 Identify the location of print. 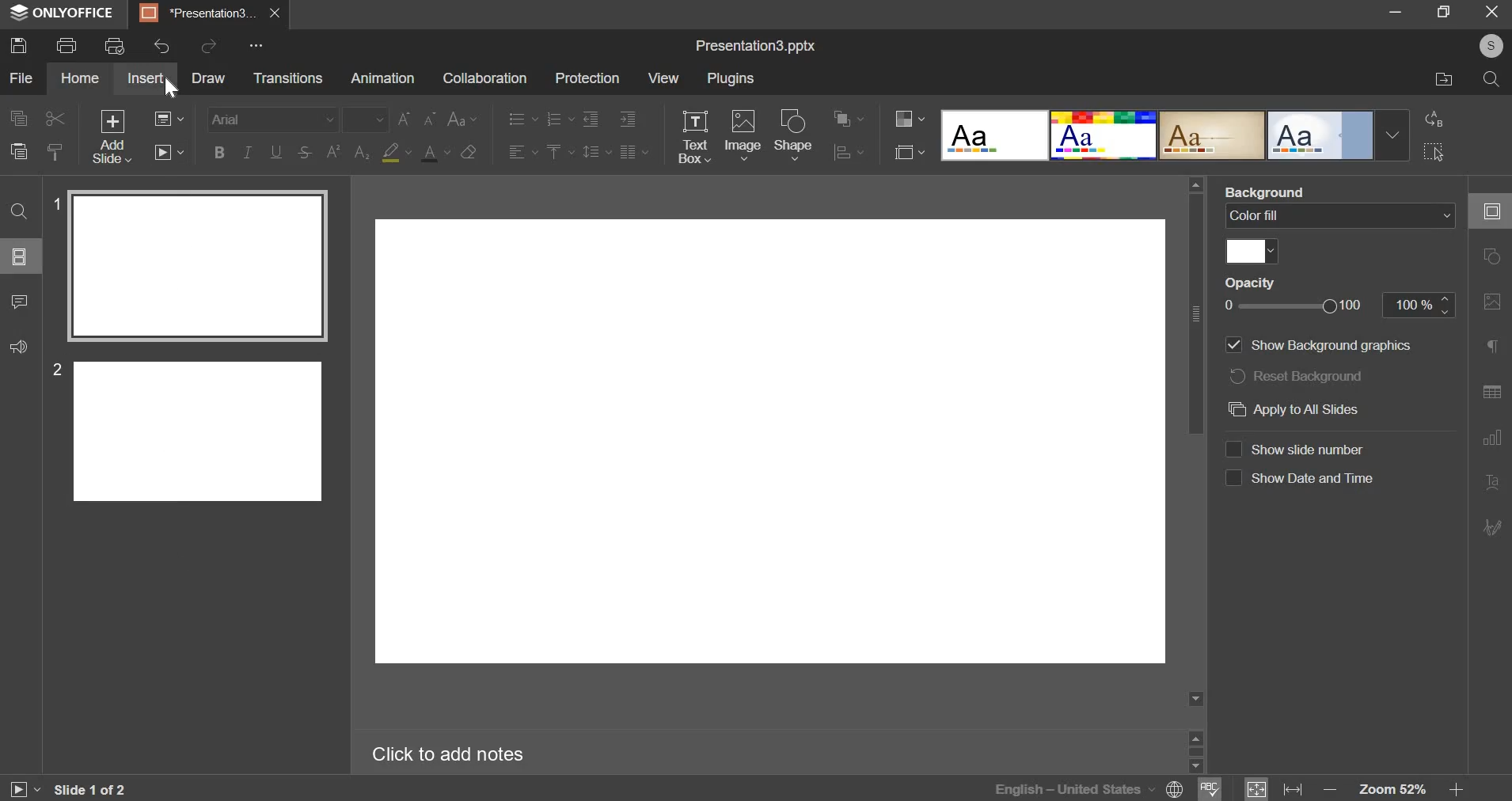
(66, 45).